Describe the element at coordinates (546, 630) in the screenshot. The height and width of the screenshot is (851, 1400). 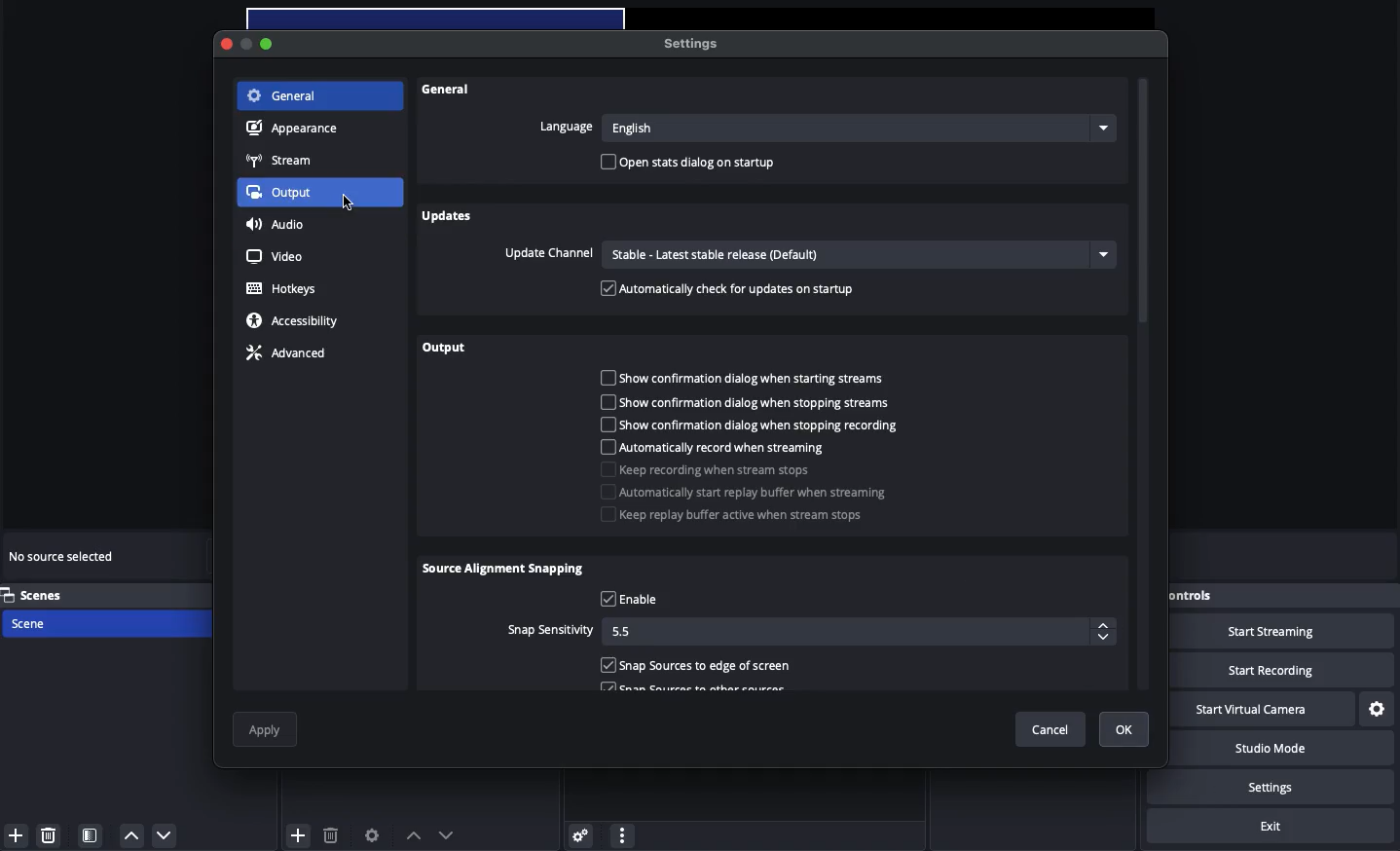
I see `Snap sensitivity` at that location.